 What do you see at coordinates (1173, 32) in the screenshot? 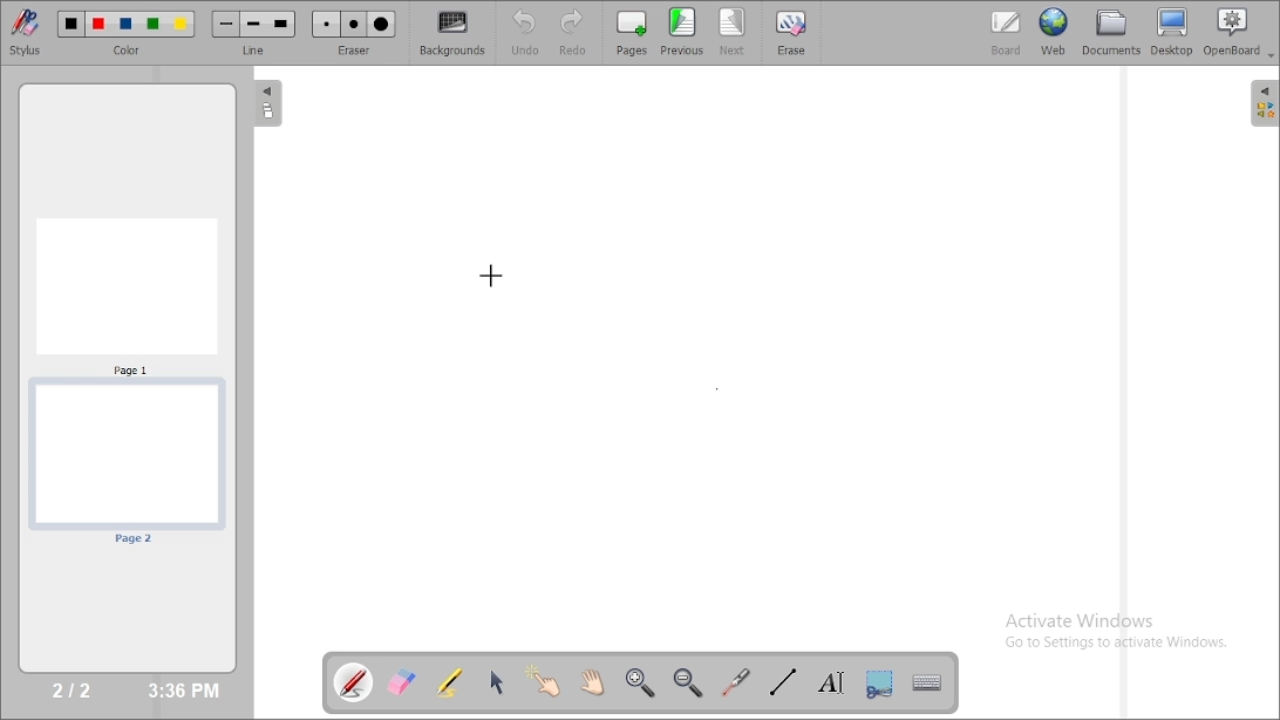
I see `desktop` at bounding box center [1173, 32].